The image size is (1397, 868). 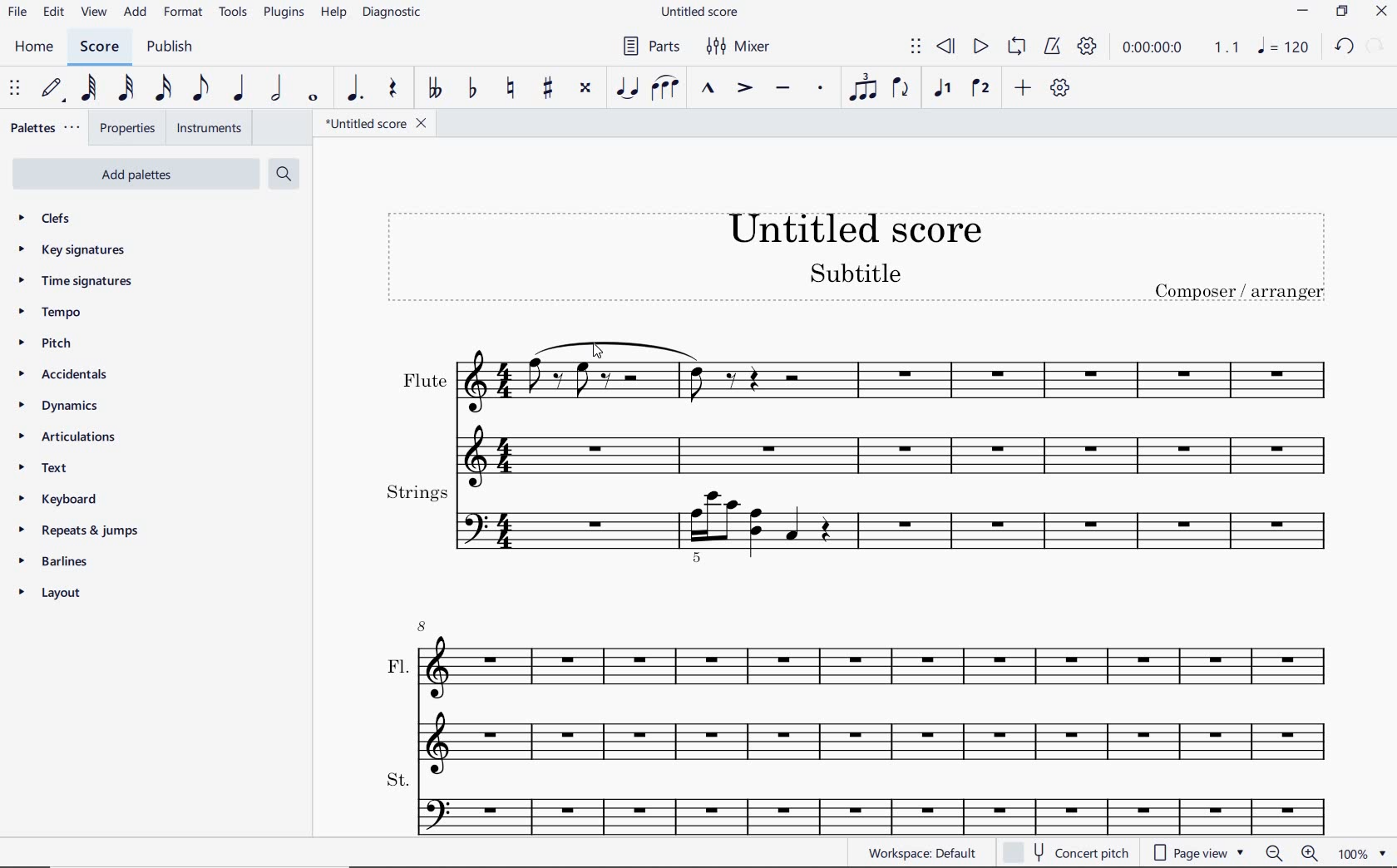 I want to click on close, so click(x=1384, y=11).